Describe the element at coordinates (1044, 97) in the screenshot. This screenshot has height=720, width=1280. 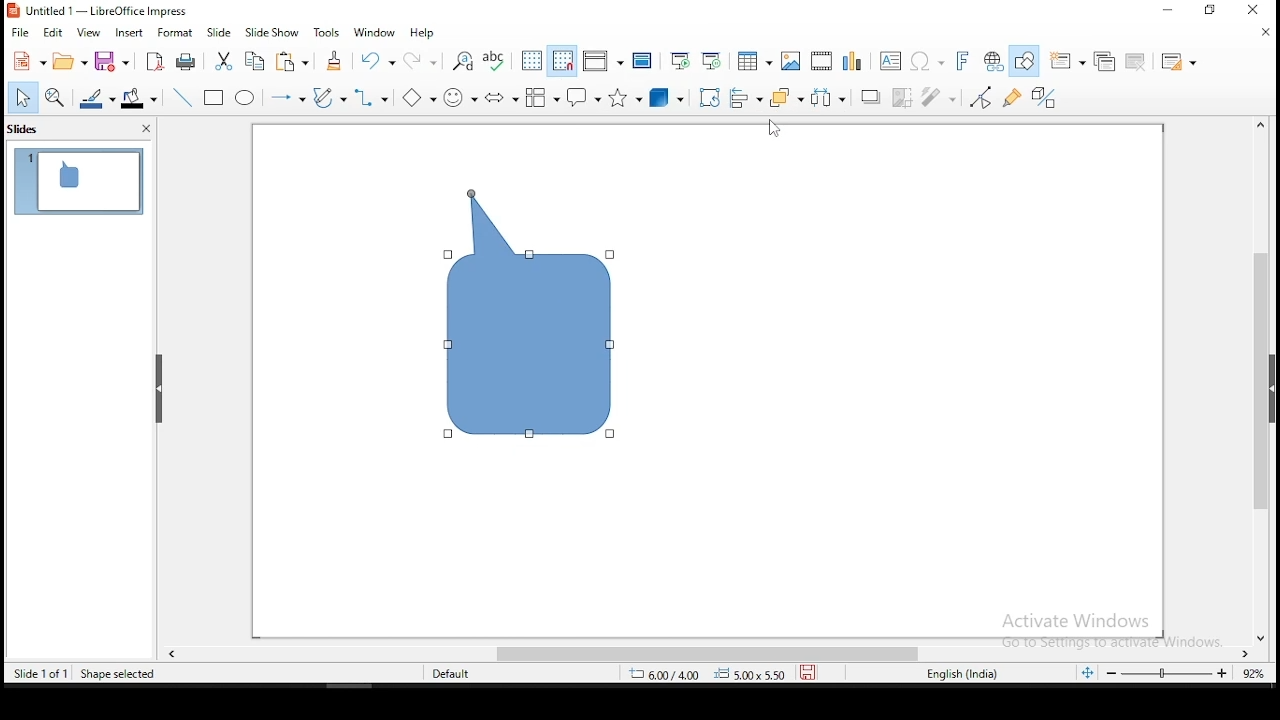
I see `toggle extrusion` at that location.